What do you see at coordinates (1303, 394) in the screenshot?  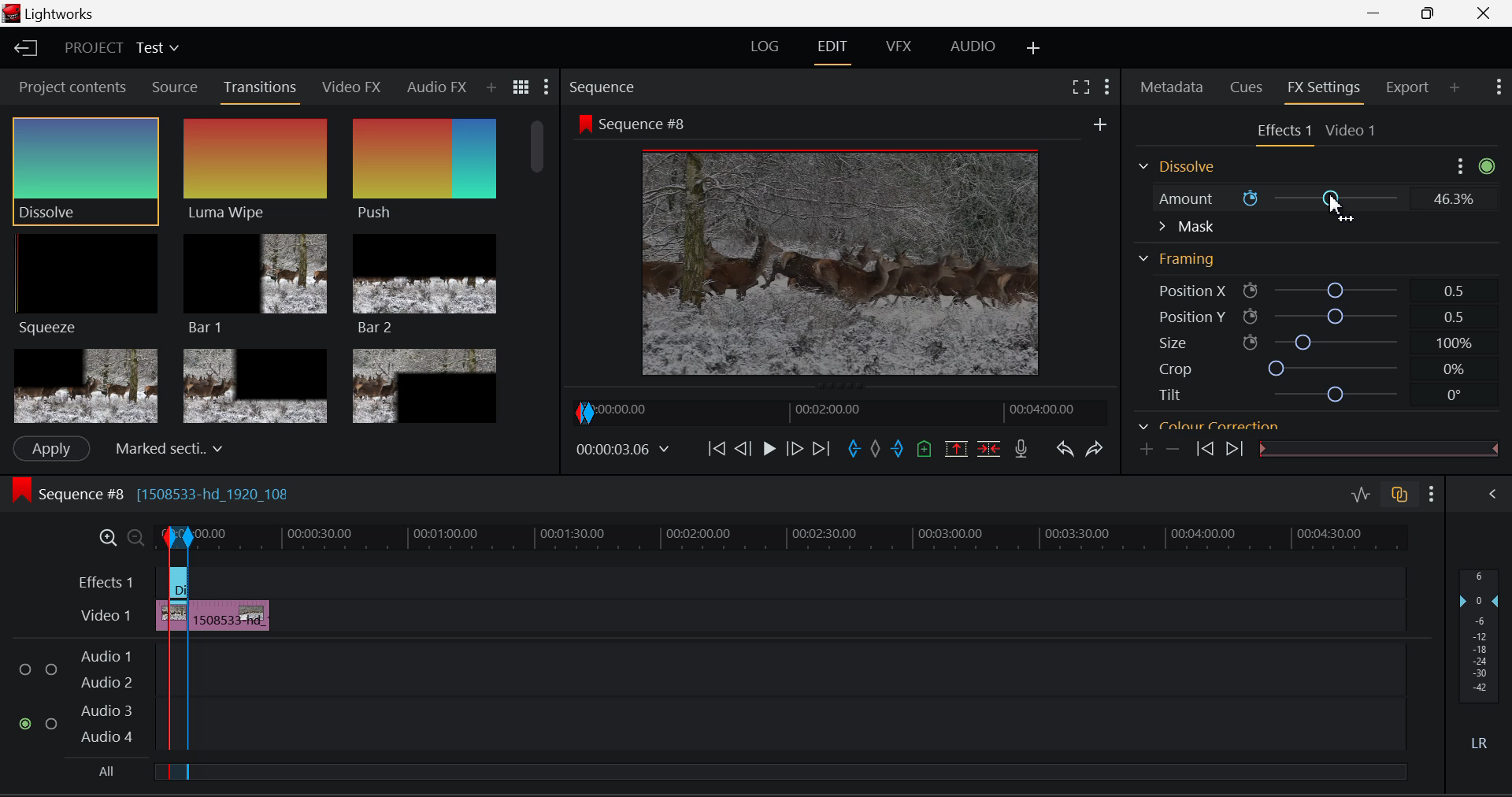 I see `Tilt` at bounding box center [1303, 394].